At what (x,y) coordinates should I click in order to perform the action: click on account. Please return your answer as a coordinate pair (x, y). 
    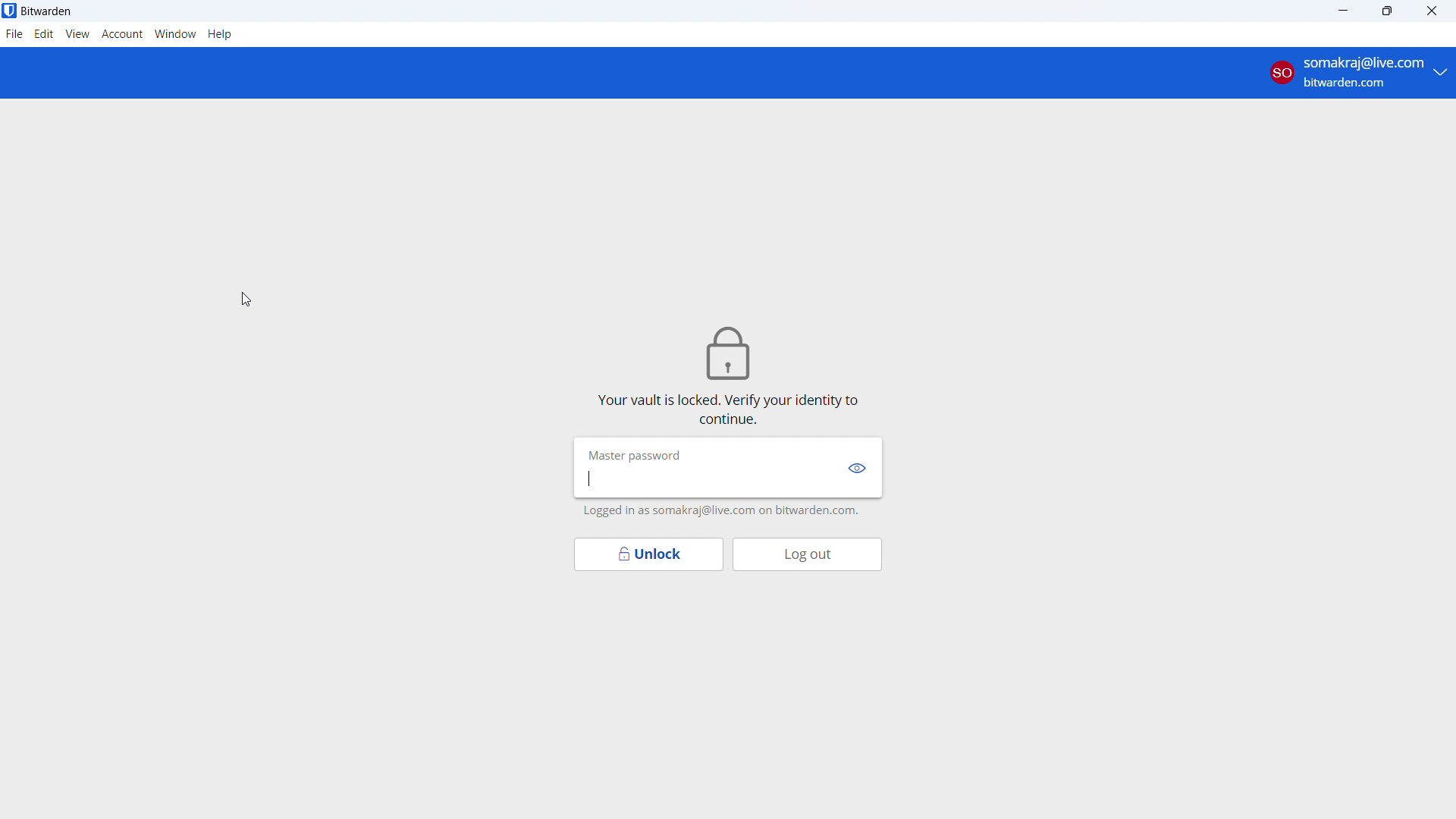
    Looking at the image, I should click on (1357, 73).